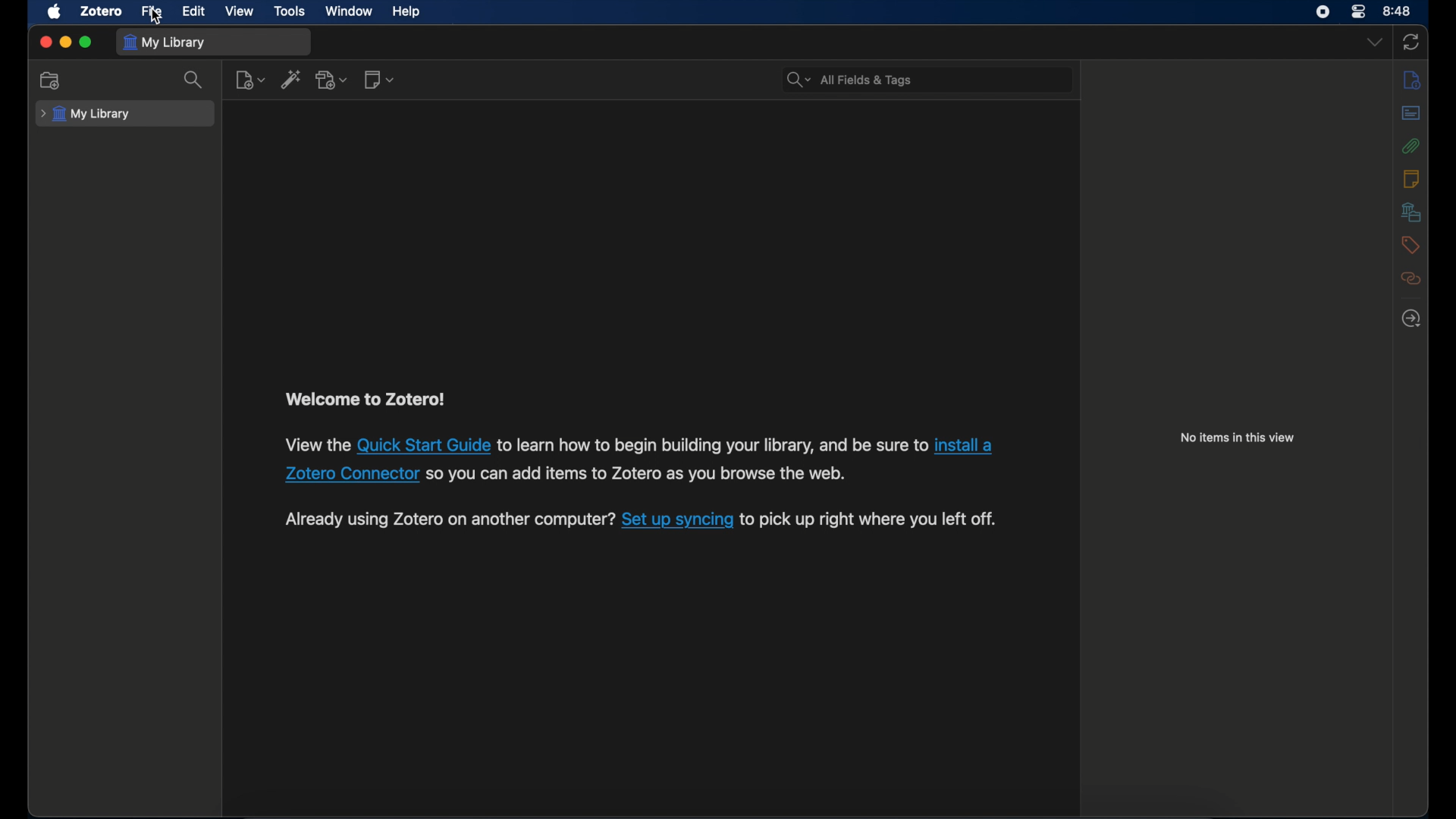 This screenshot has width=1456, height=819. Describe the element at coordinates (55, 12) in the screenshot. I see `apple` at that location.